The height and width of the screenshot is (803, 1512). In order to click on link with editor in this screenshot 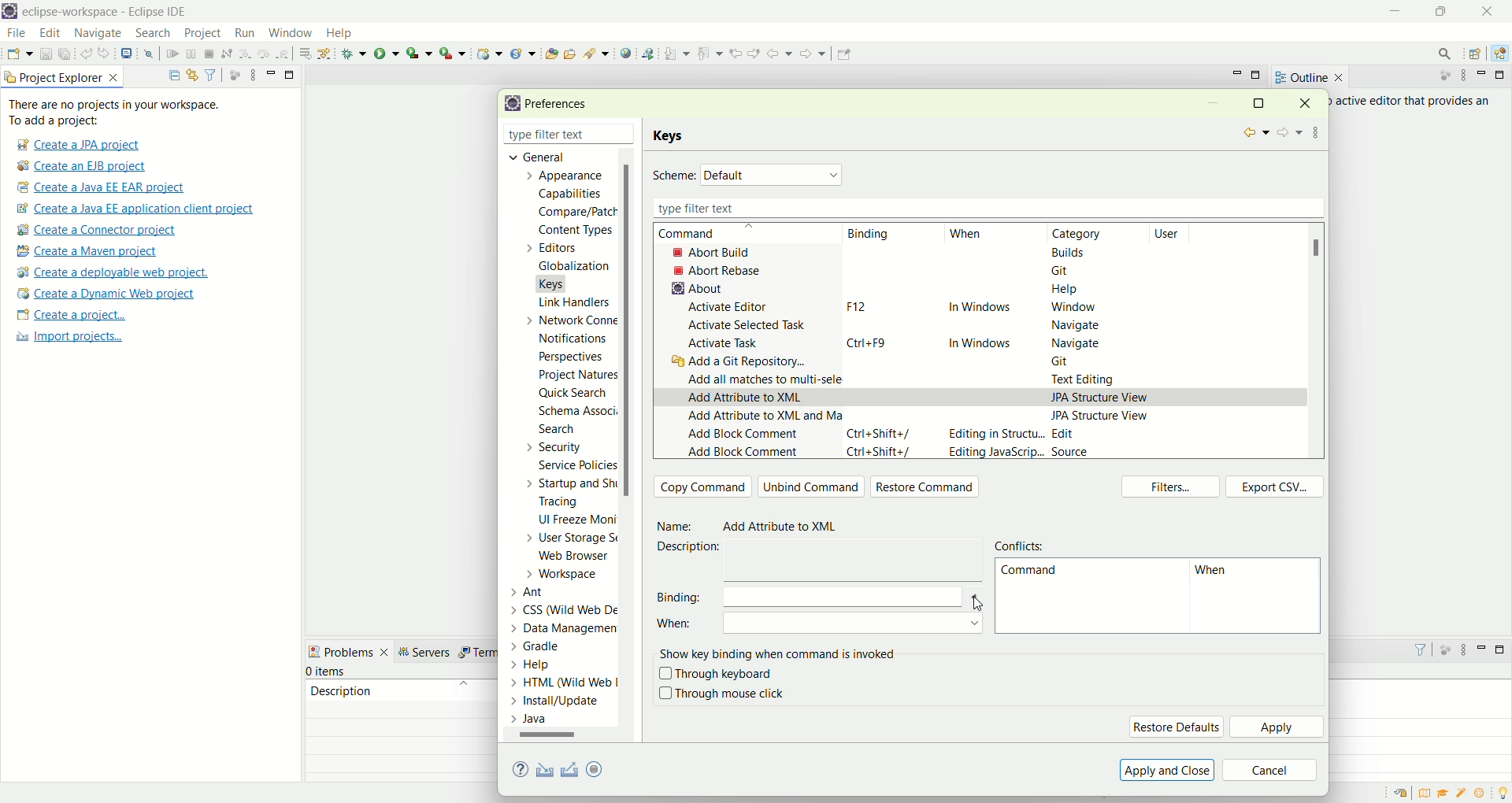, I will do `click(193, 75)`.